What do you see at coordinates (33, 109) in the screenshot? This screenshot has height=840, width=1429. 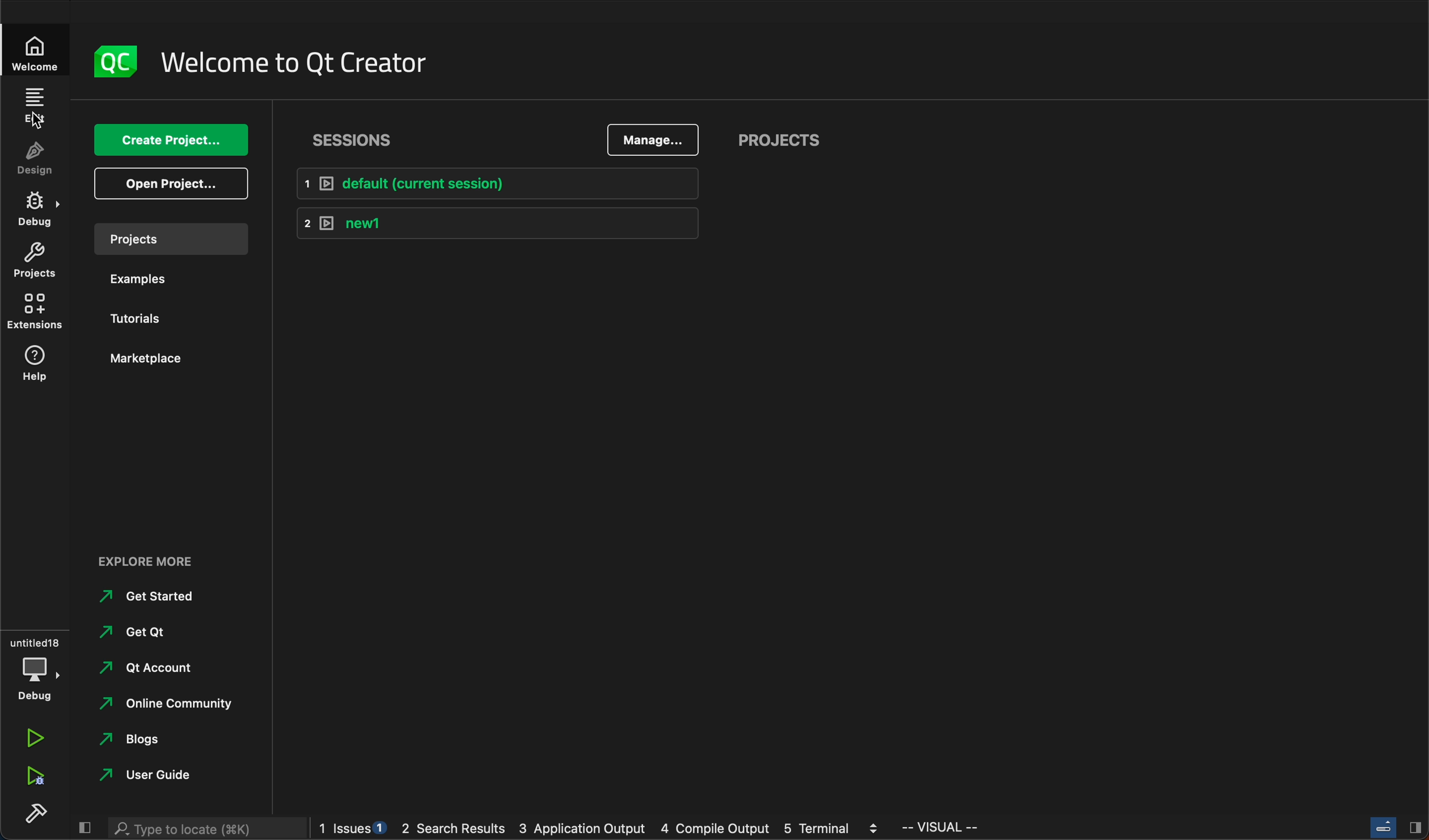 I see `edit` at bounding box center [33, 109].